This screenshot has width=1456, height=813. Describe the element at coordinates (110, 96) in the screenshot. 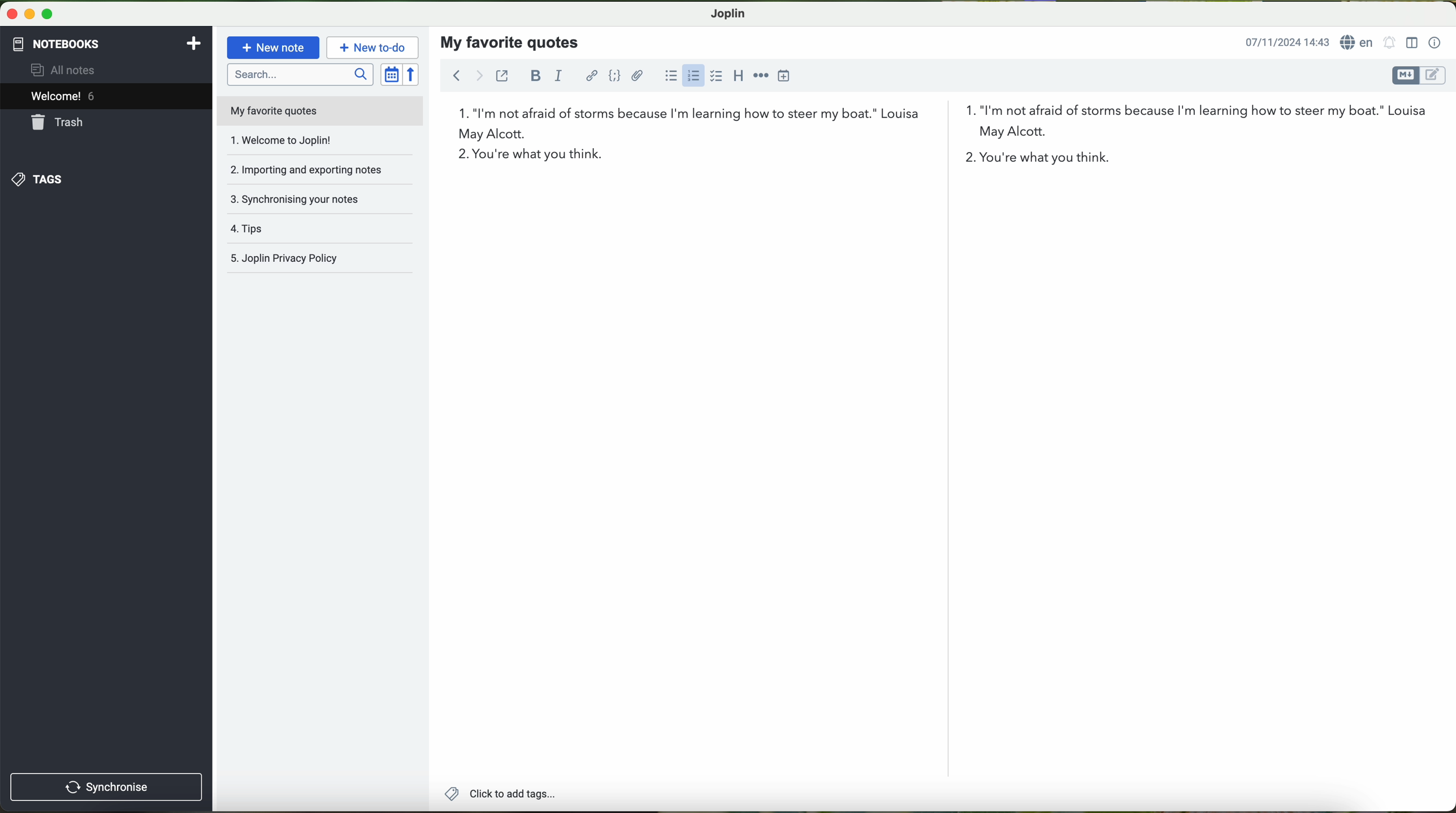

I see `welcome 6` at that location.